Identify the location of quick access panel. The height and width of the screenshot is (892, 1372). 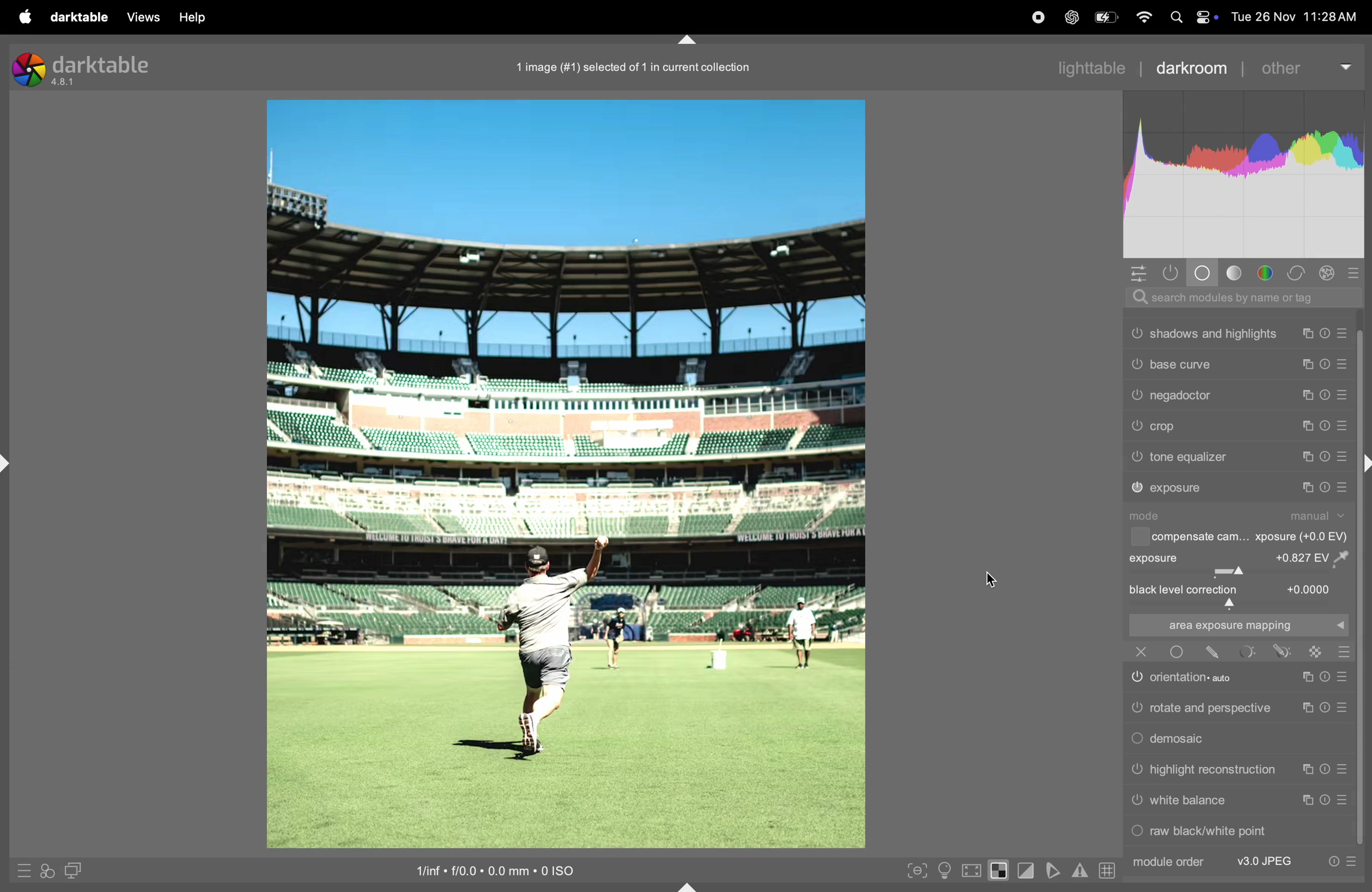
(1138, 273).